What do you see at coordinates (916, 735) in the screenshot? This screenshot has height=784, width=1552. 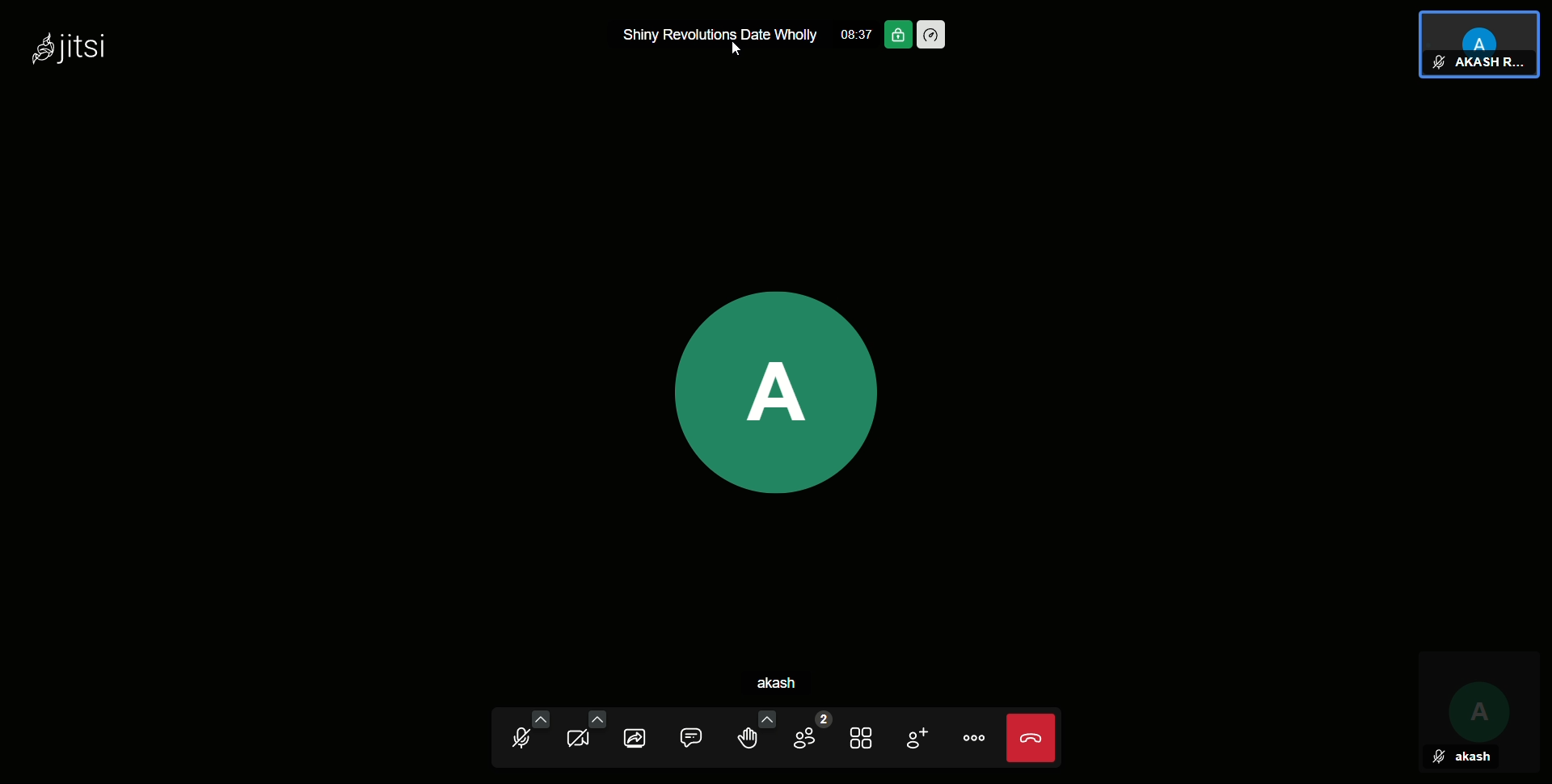 I see `invite people` at bounding box center [916, 735].